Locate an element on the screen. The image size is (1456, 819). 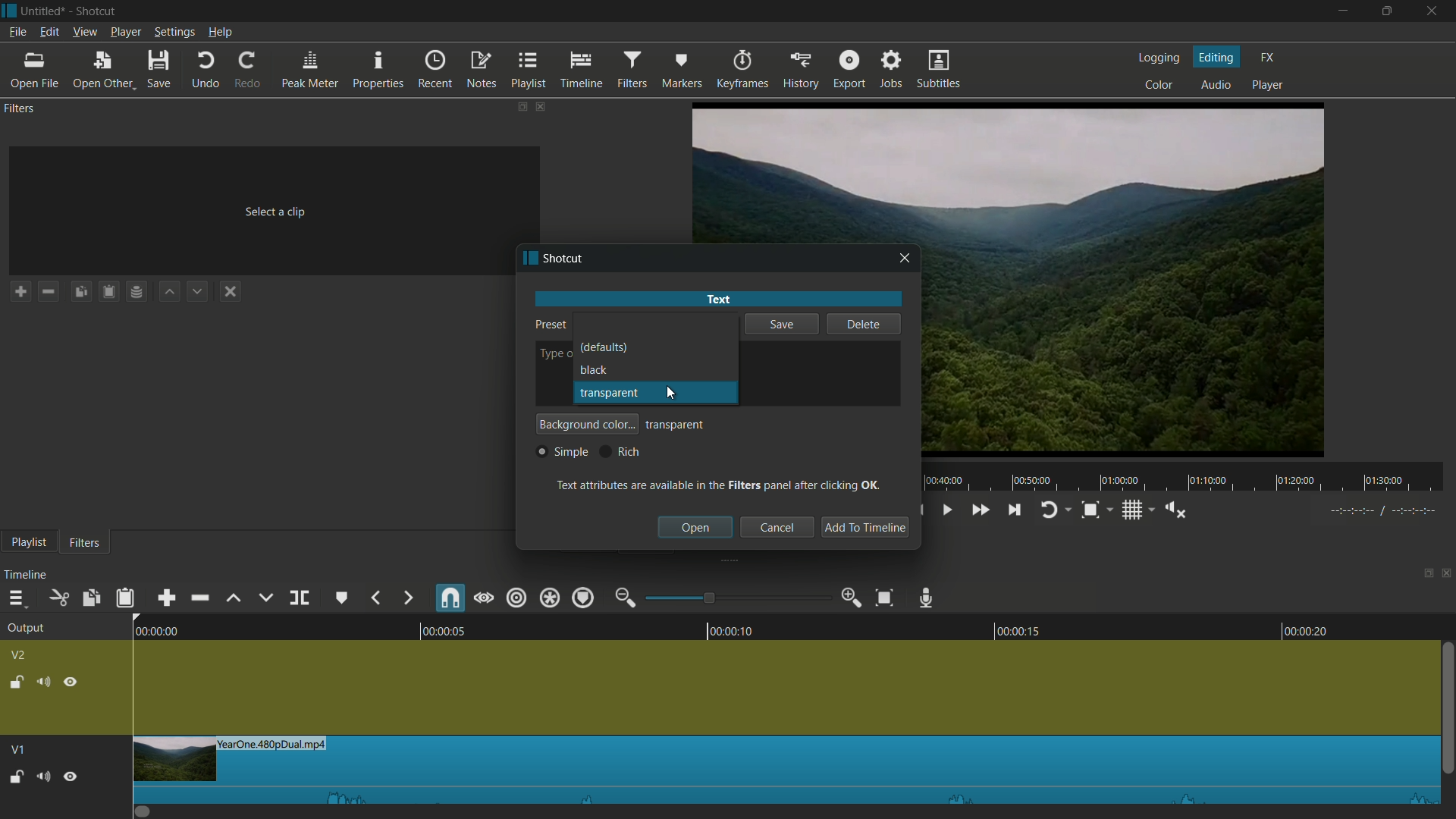
export is located at coordinates (850, 70).